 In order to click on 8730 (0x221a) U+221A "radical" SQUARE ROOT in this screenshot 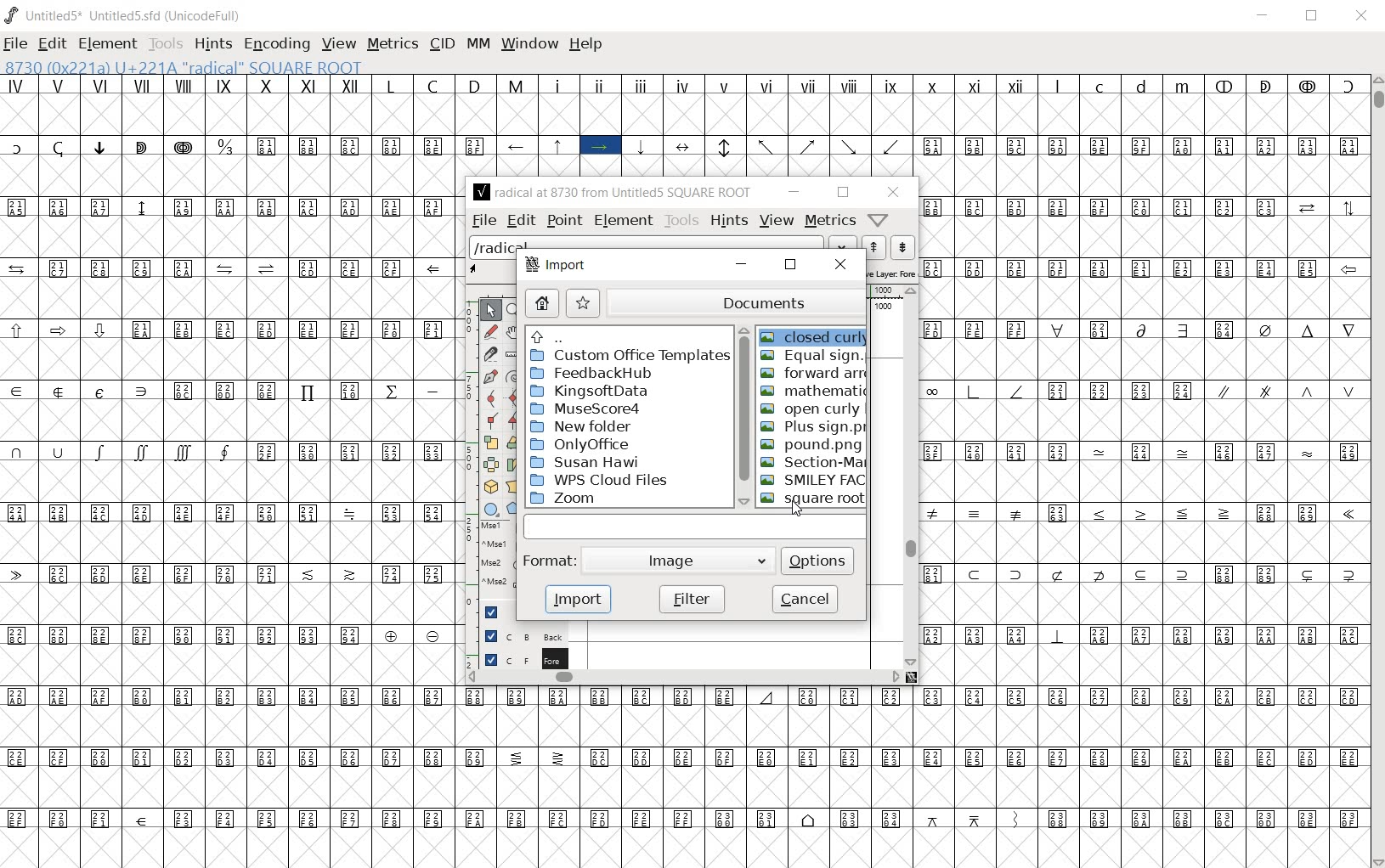, I will do `click(226, 67)`.